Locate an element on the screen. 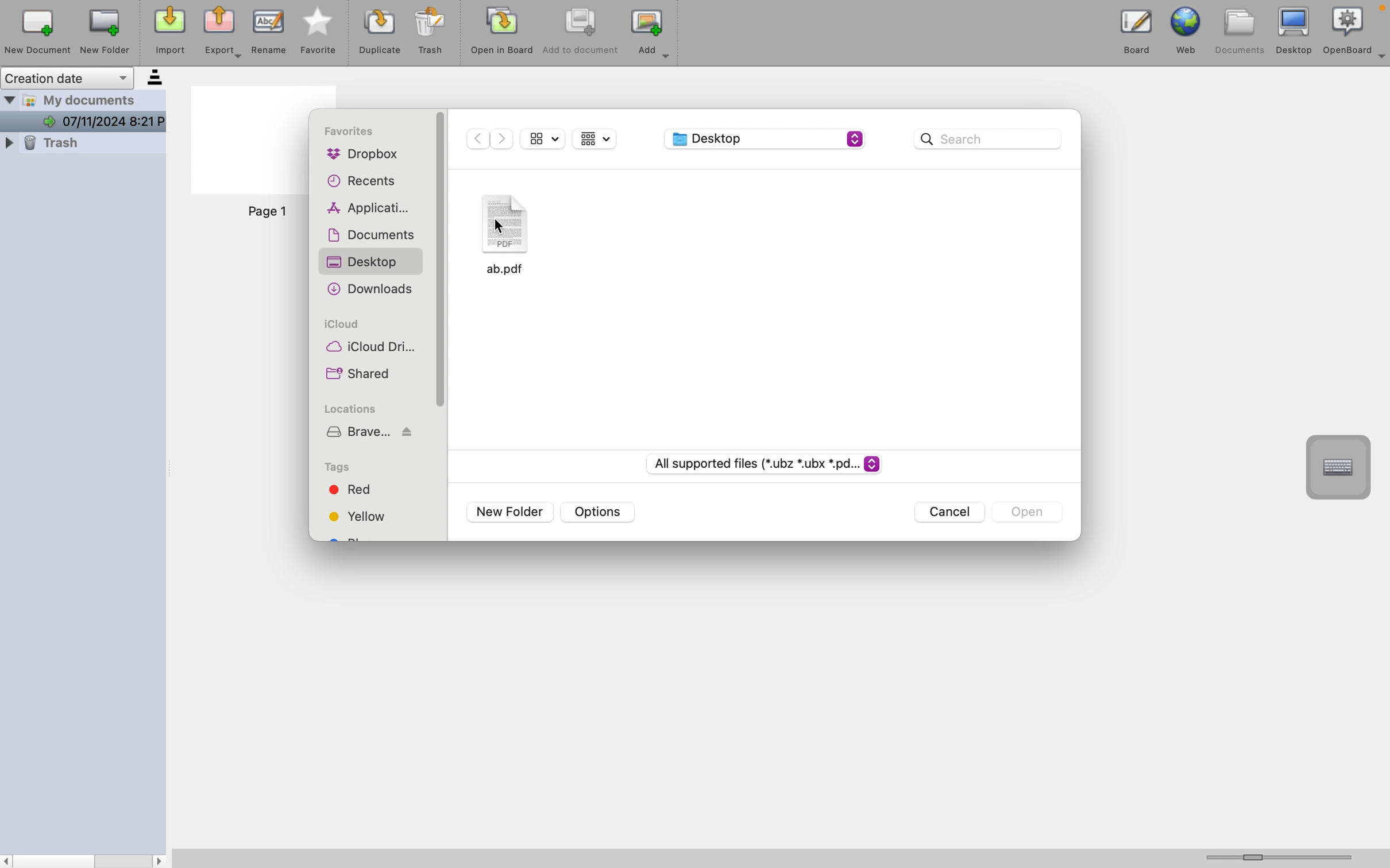 The height and width of the screenshot is (868, 1390). sidebar vertical scroll bar is located at coordinates (443, 261).